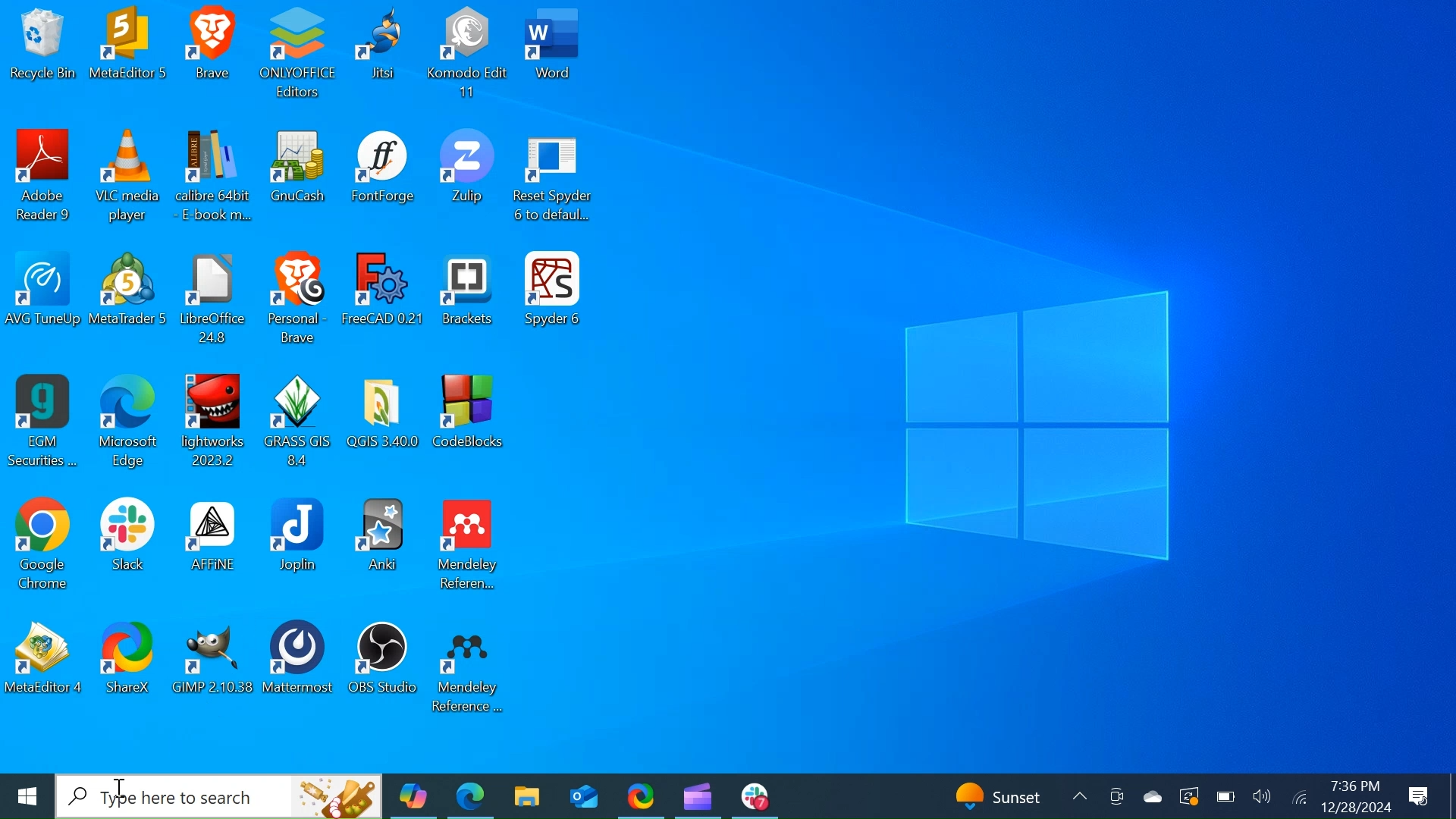 The image size is (1456, 819). What do you see at coordinates (1223, 797) in the screenshot?
I see `Charge` at bounding box center [1223, 797].